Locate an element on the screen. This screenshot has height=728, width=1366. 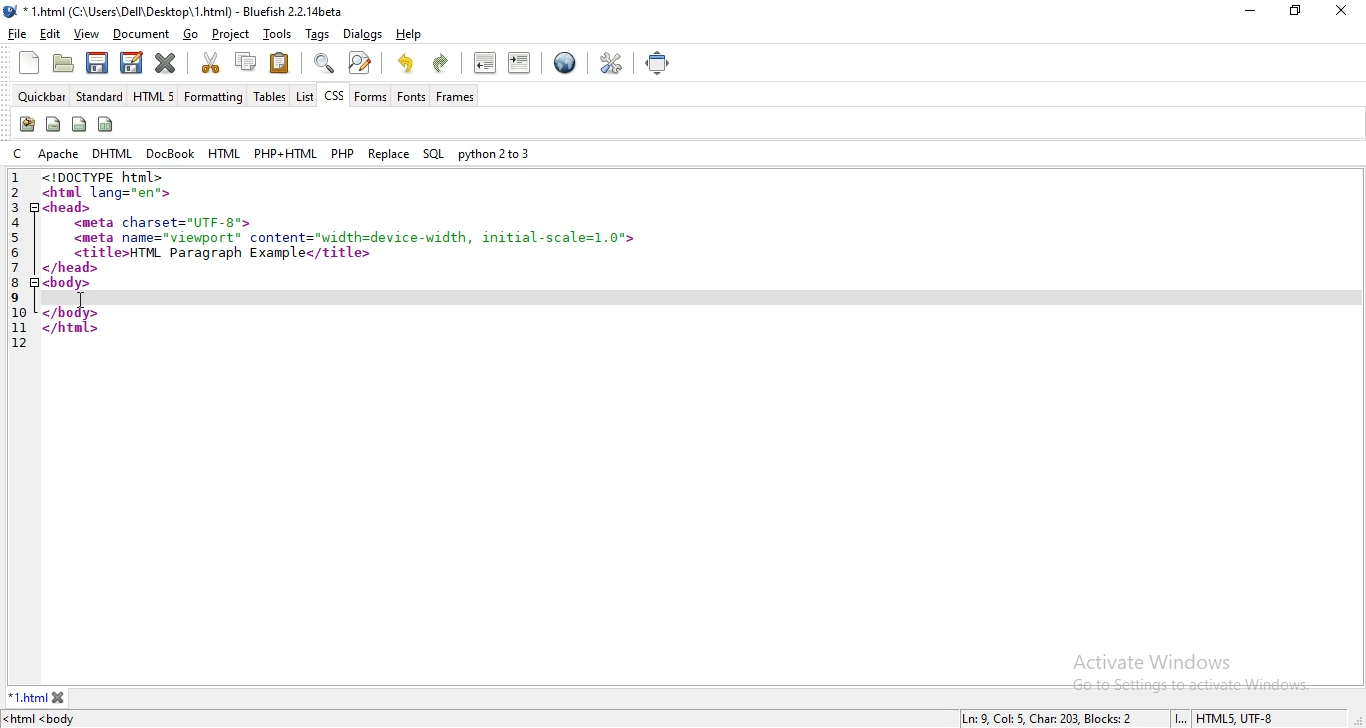
</body> is located at coordinates (71, 313).